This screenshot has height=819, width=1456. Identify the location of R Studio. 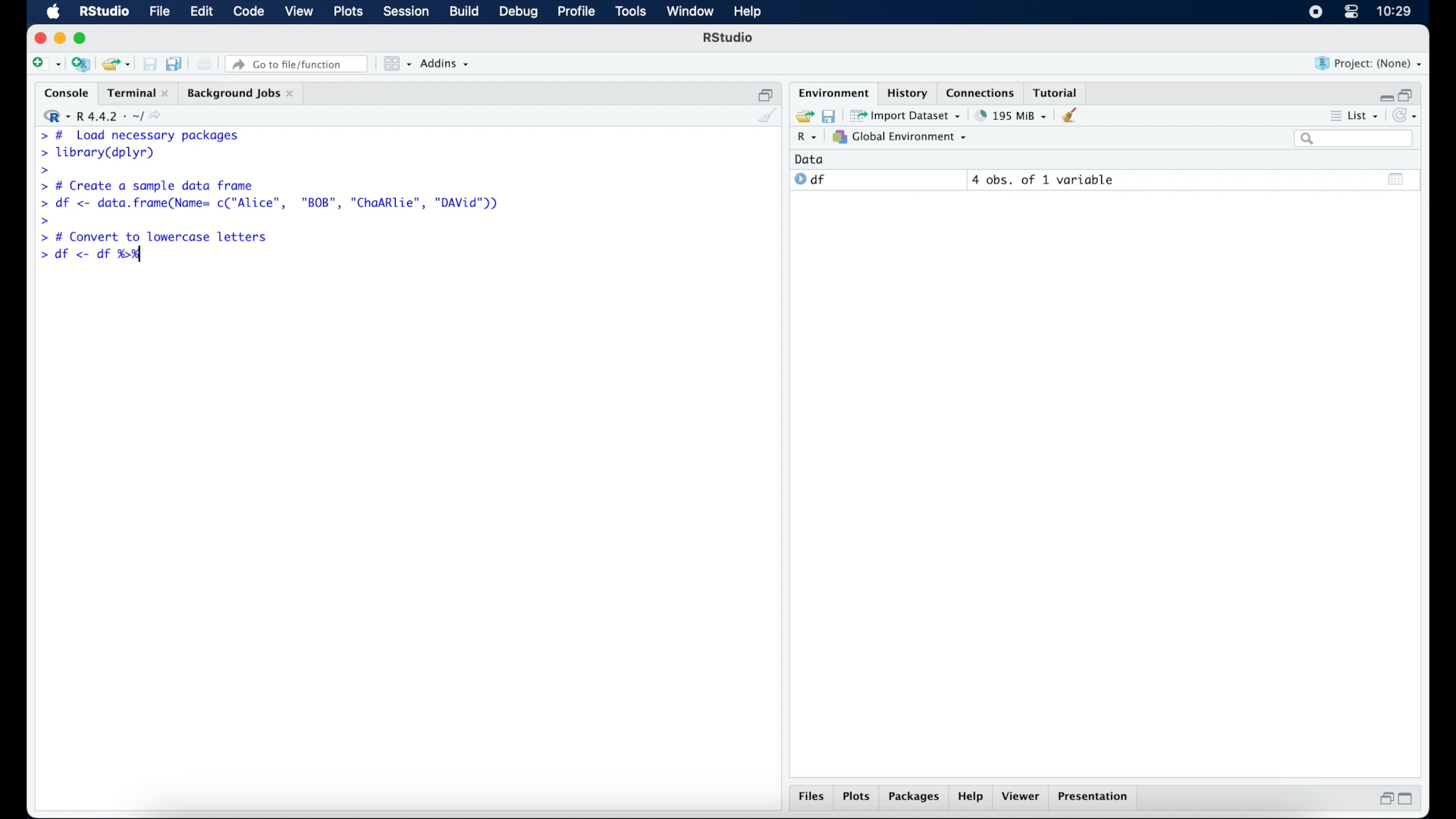
(730, 39).